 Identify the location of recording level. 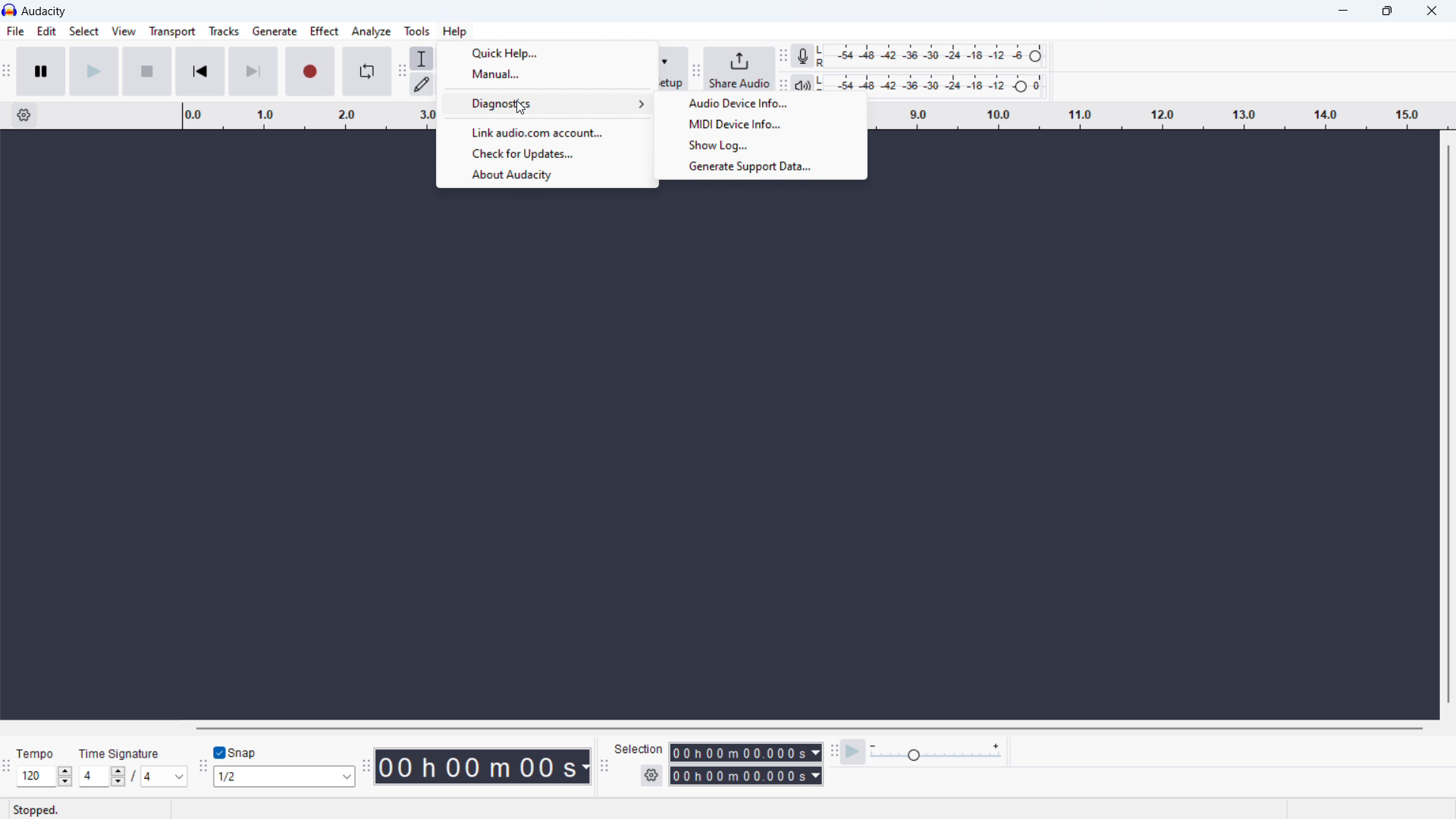
(929, 56).